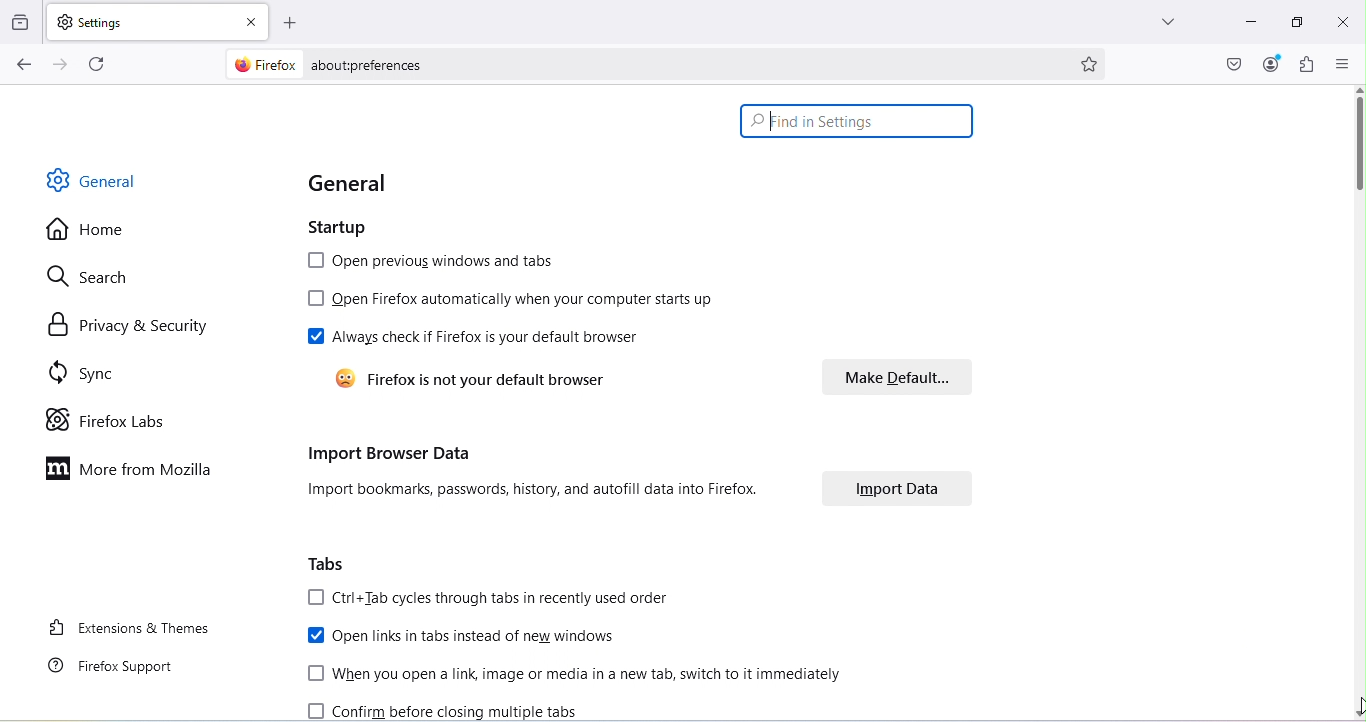 The height and width of the screenshot is (722, 1366). I want to click on Confirm before closing multiple tabs, so click(442, 711).